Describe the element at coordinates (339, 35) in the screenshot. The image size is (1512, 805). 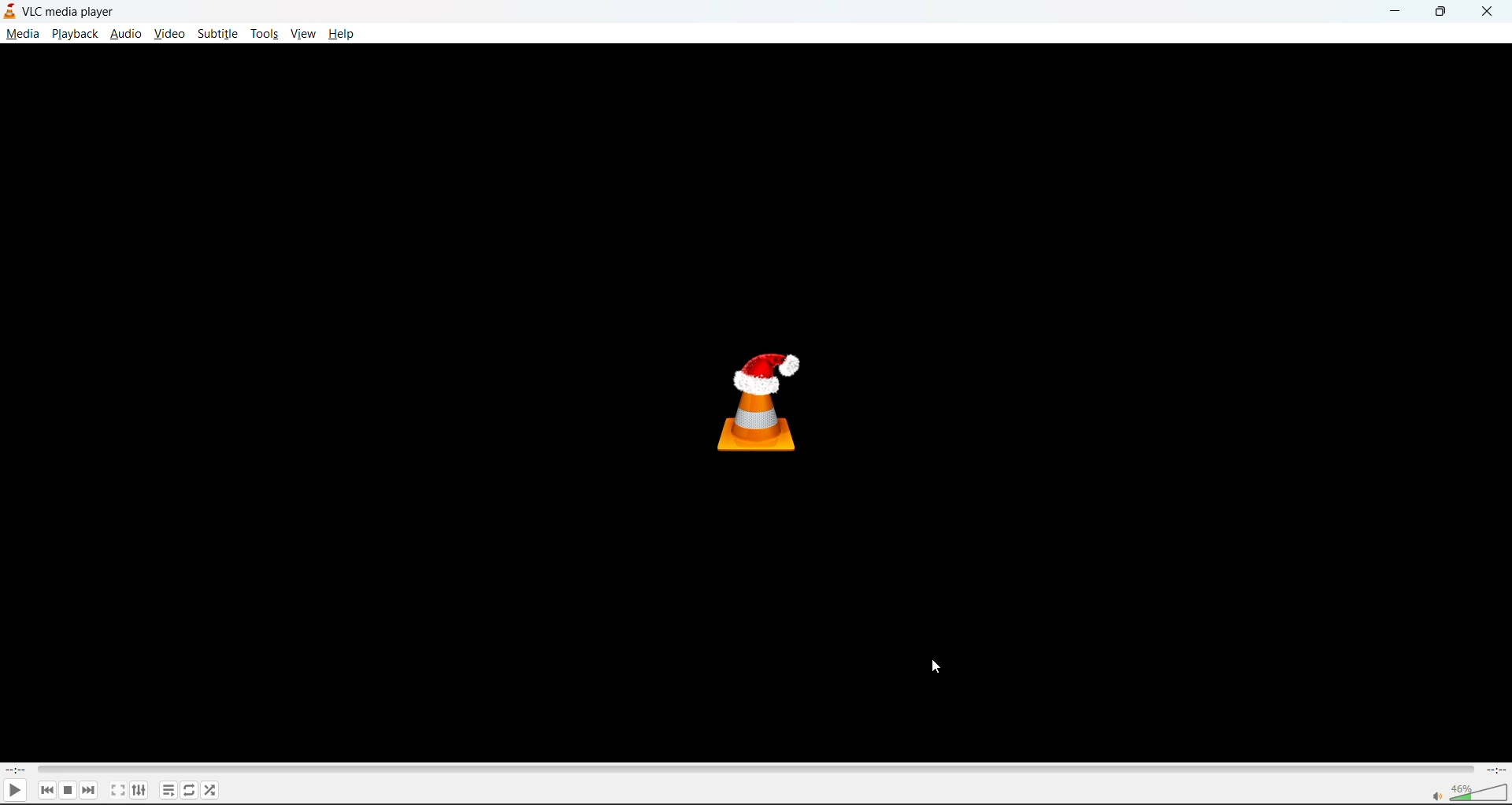
I see `help` at that location.